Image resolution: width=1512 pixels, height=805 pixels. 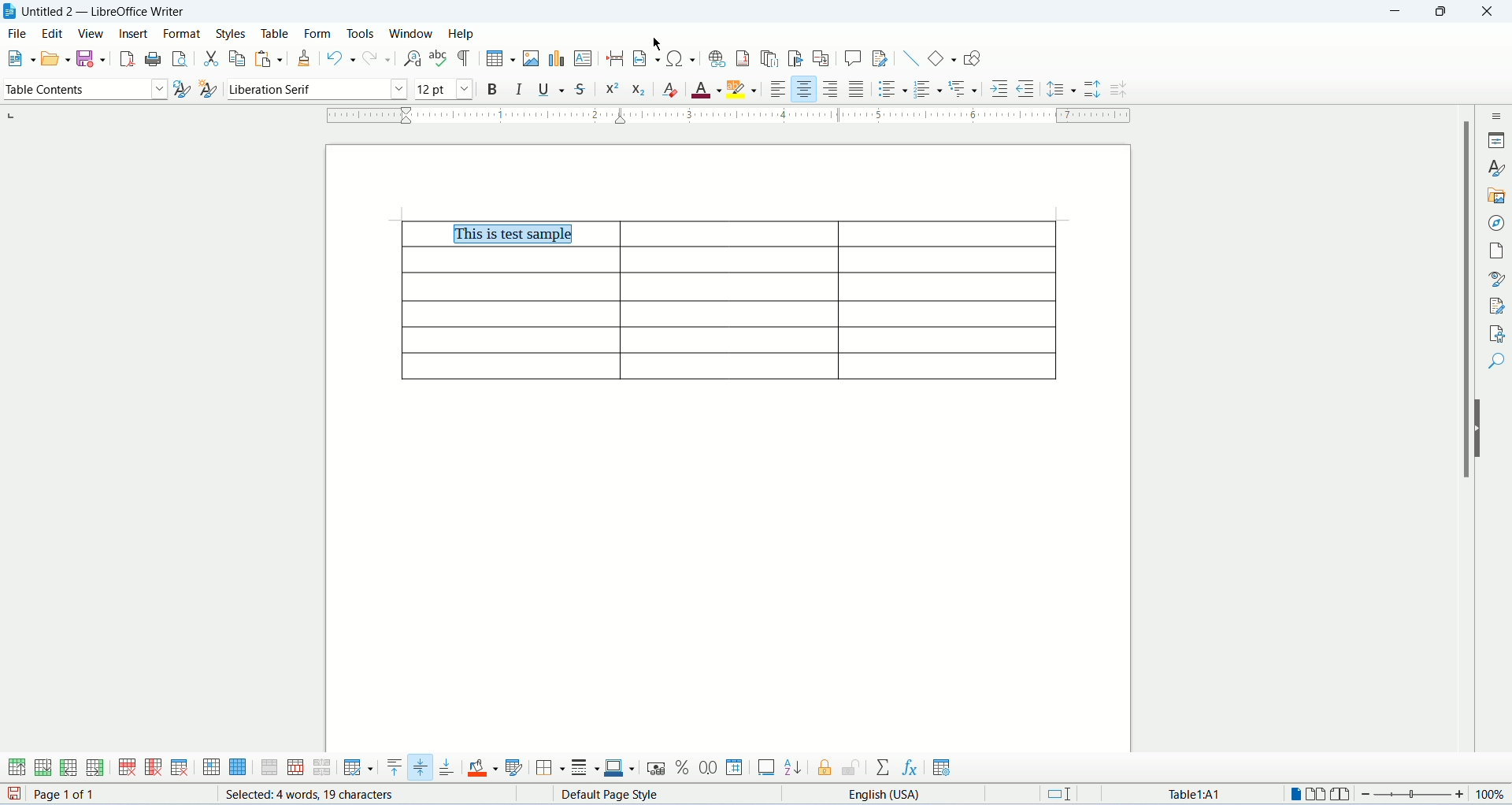 What do you see at coordinates (965, 89) in the screenshot?
I see `outline format` at bounding box center [965, 89].